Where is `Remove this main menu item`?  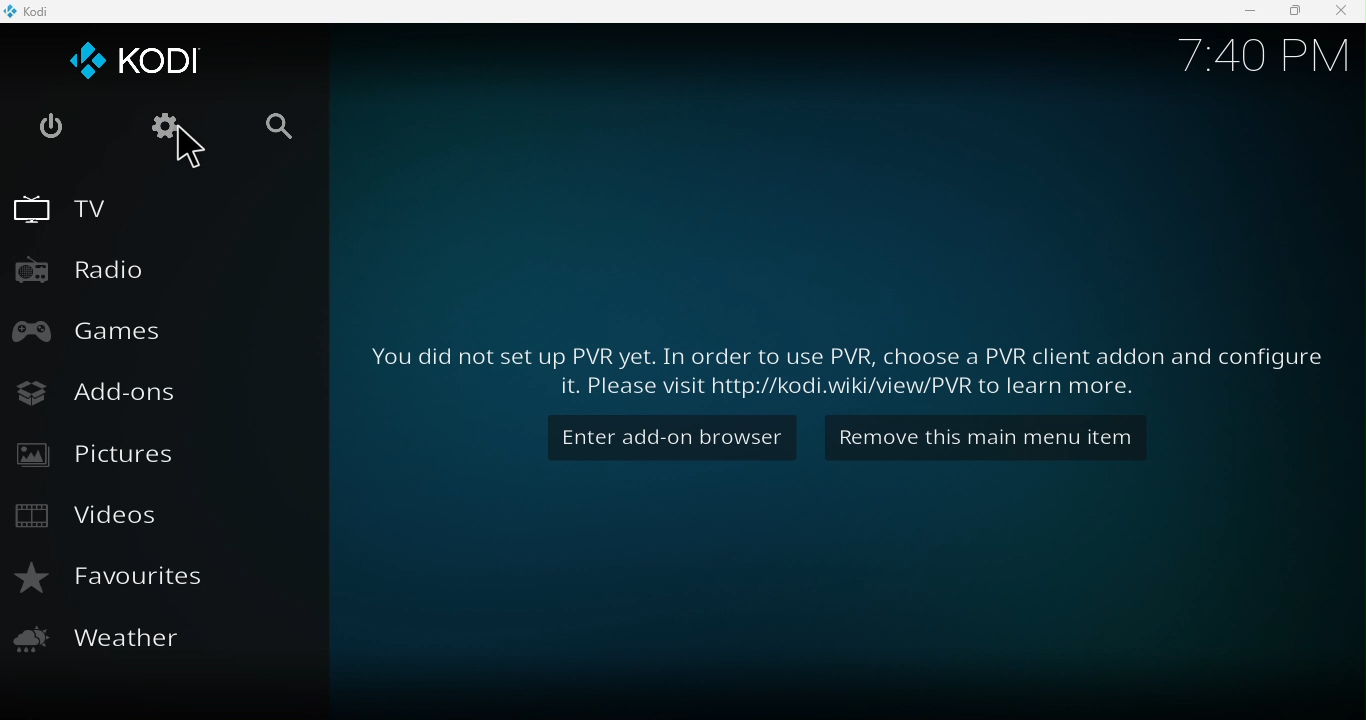 Remove this main menu item is located at coordinates (977, 437).